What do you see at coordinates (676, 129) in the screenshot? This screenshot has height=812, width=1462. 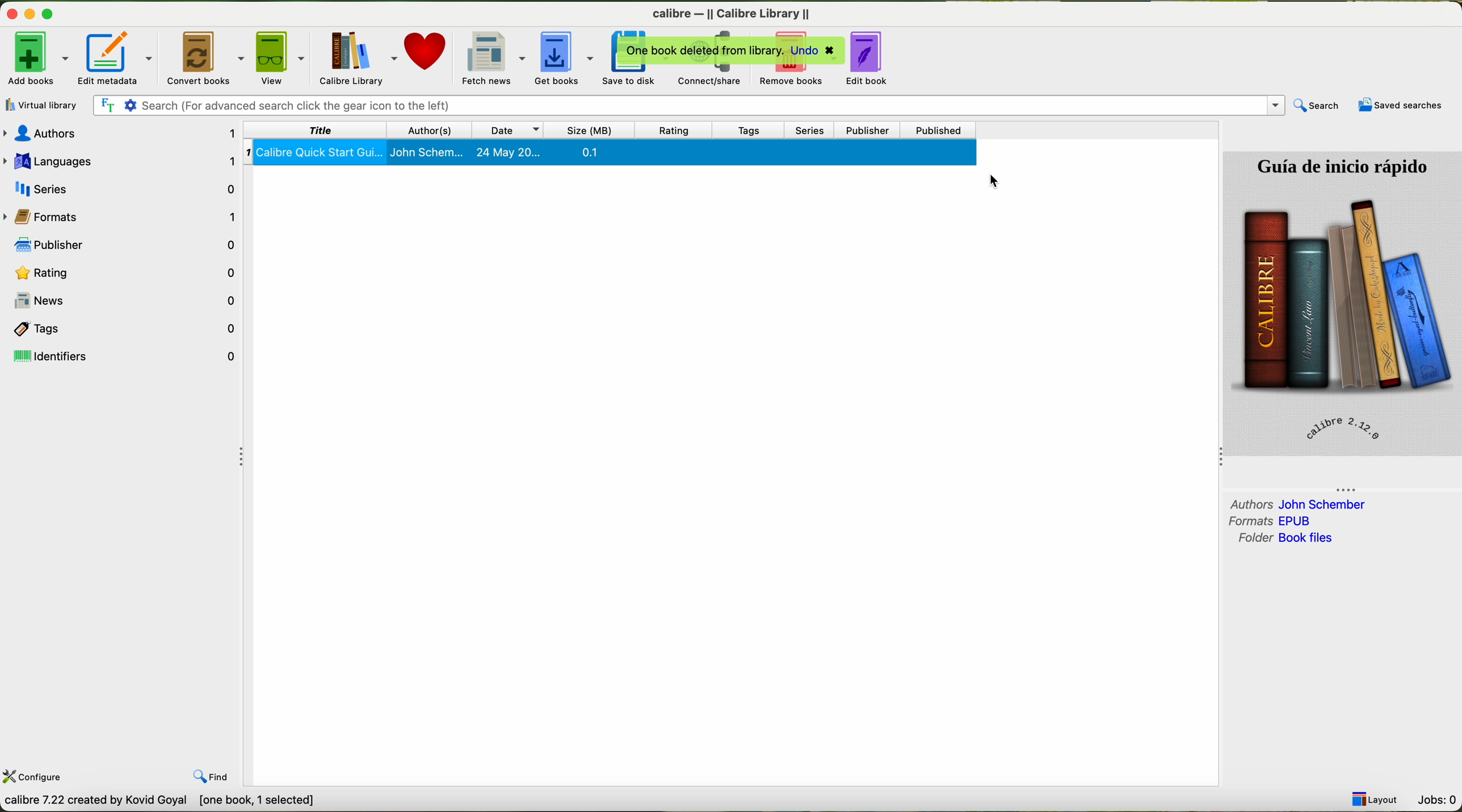 I see `rating` at bounding box center [676, 129].